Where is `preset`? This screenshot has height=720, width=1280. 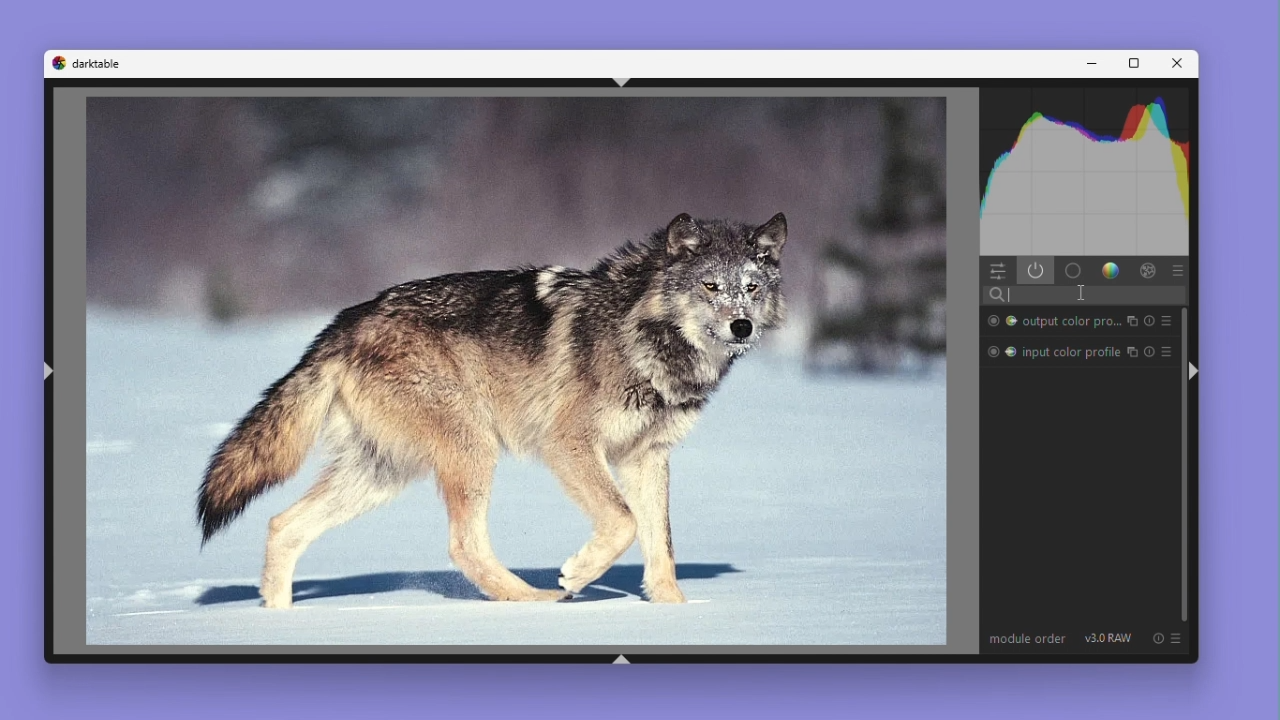 preset is located at coordinates (1165, 320).